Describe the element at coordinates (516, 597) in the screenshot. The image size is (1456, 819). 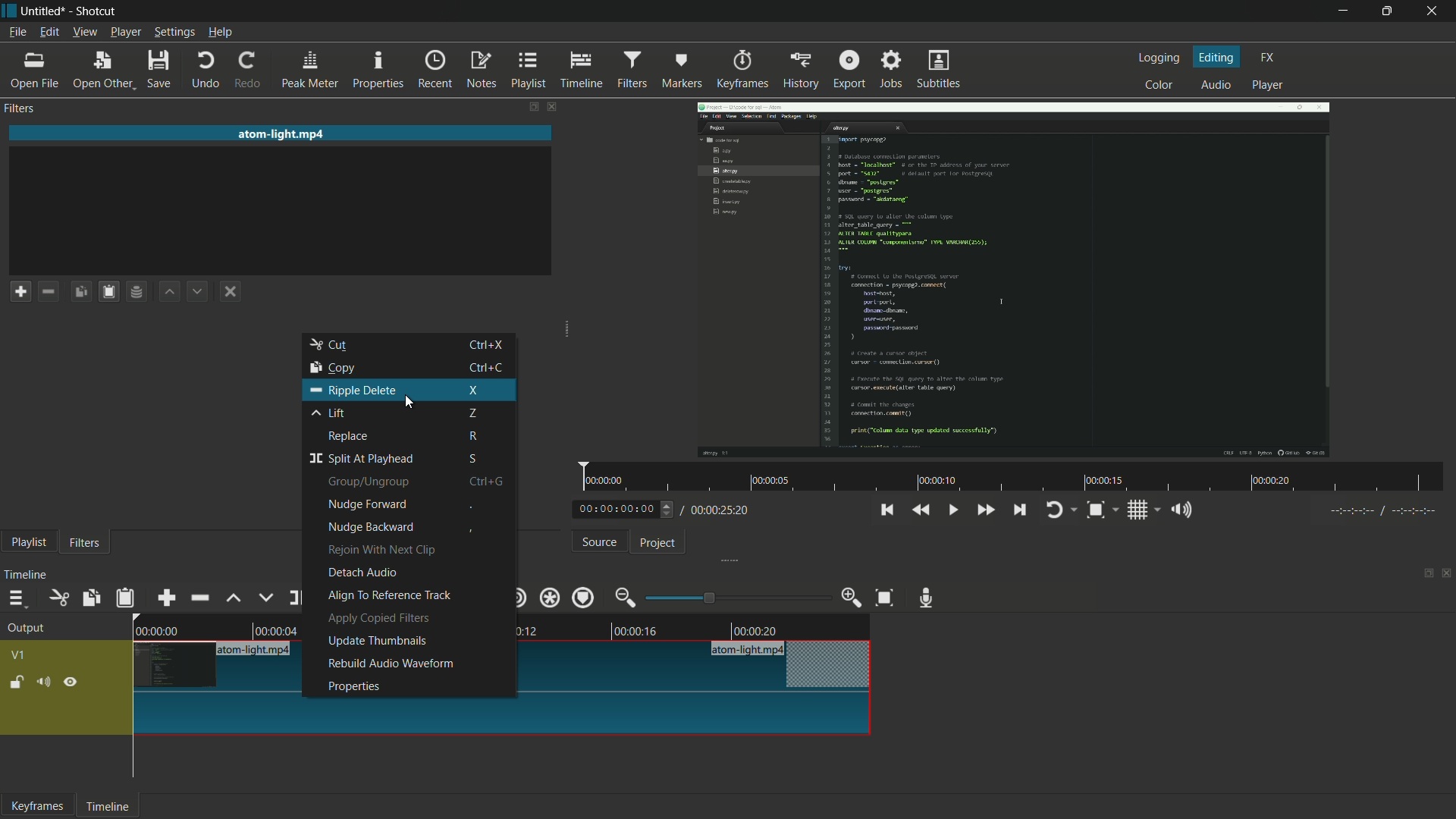
I see `ripple` at that location.